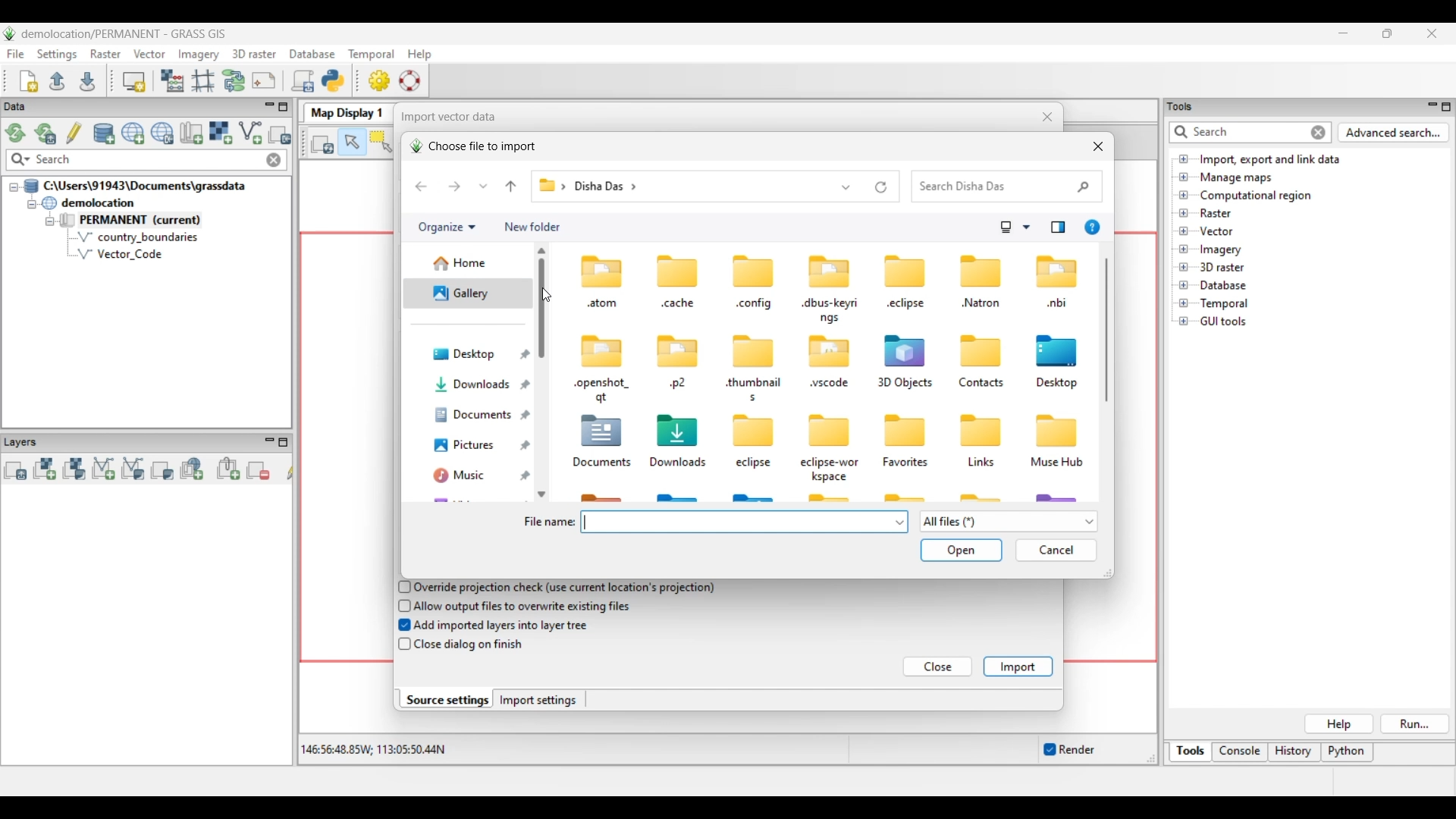 This screenshot has width=1456, height=819. I want to click on Double click to see files under Vector, so click(1216, 231).